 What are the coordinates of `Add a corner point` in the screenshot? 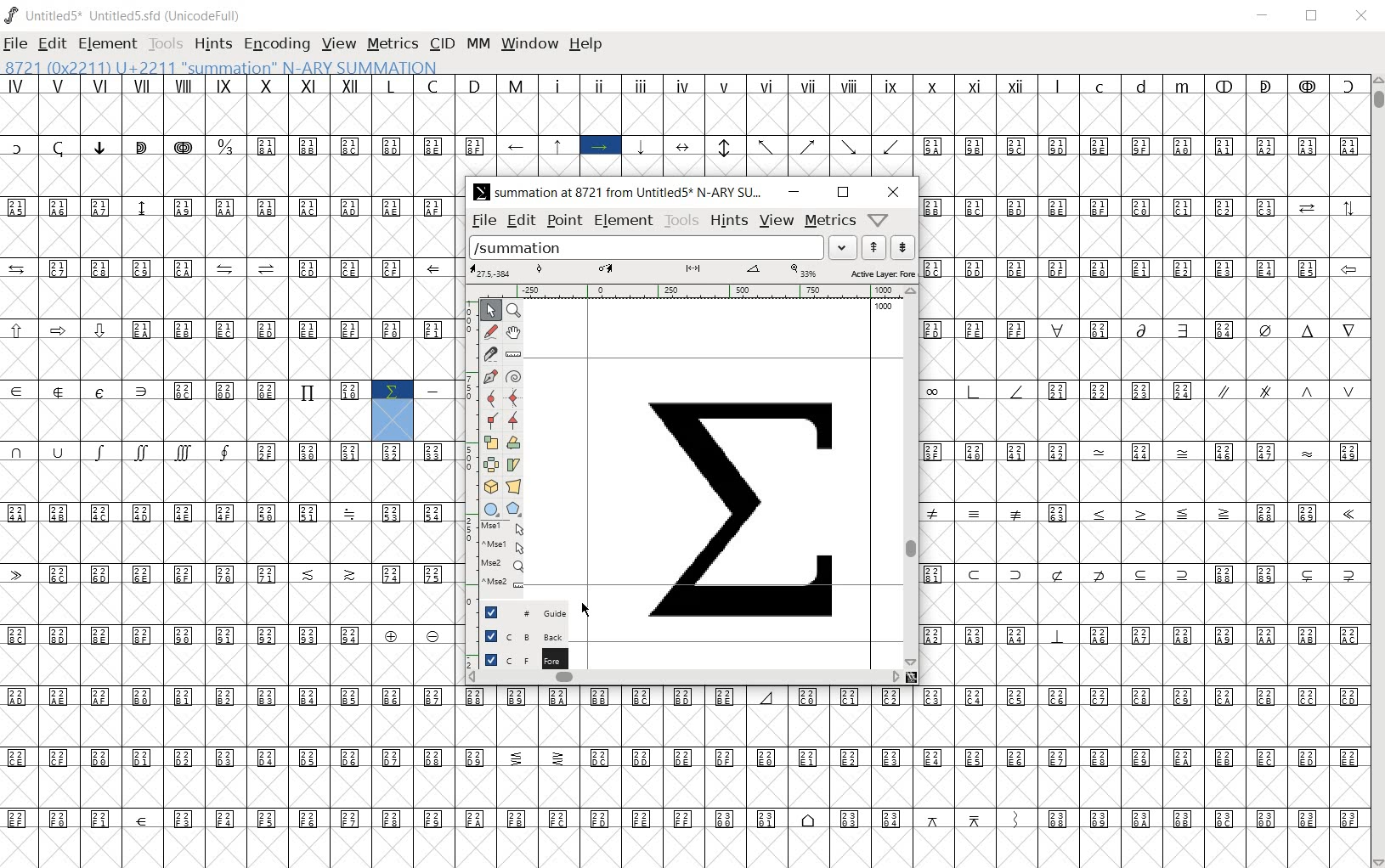 It's located at (490, 420).